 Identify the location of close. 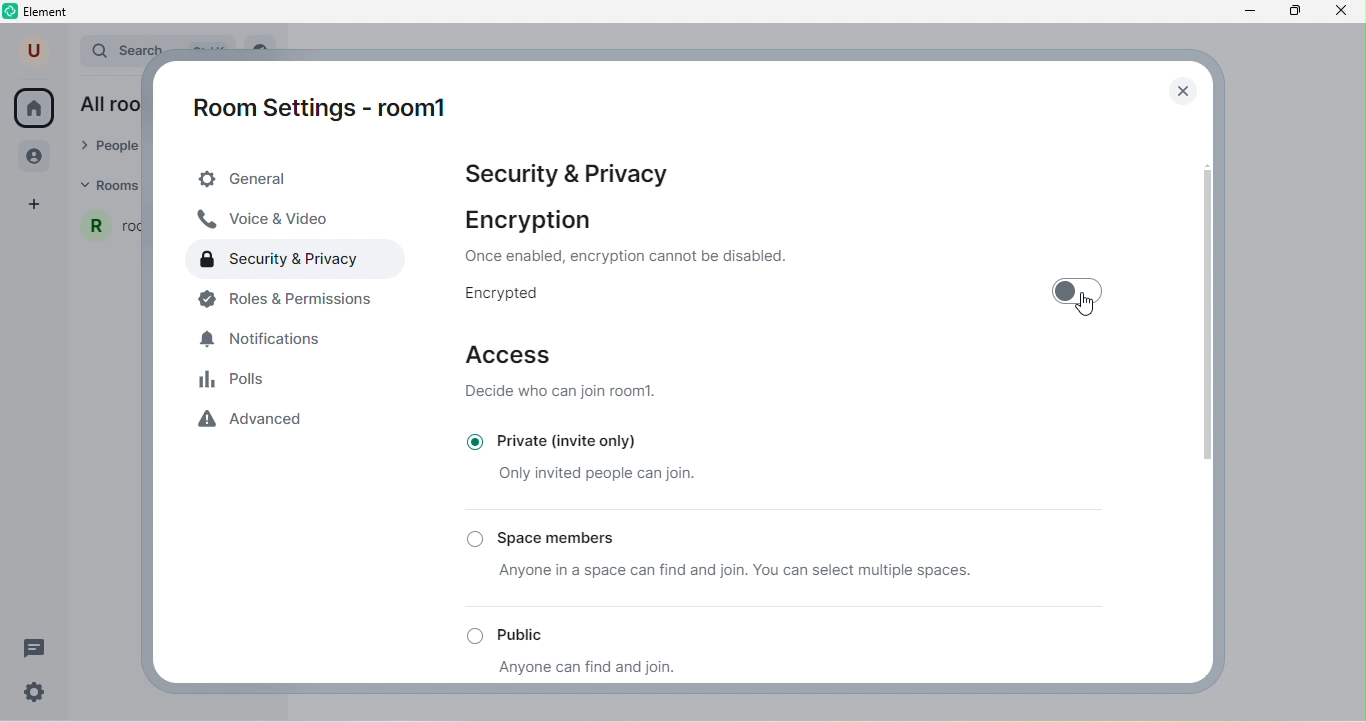
(1182, 90).